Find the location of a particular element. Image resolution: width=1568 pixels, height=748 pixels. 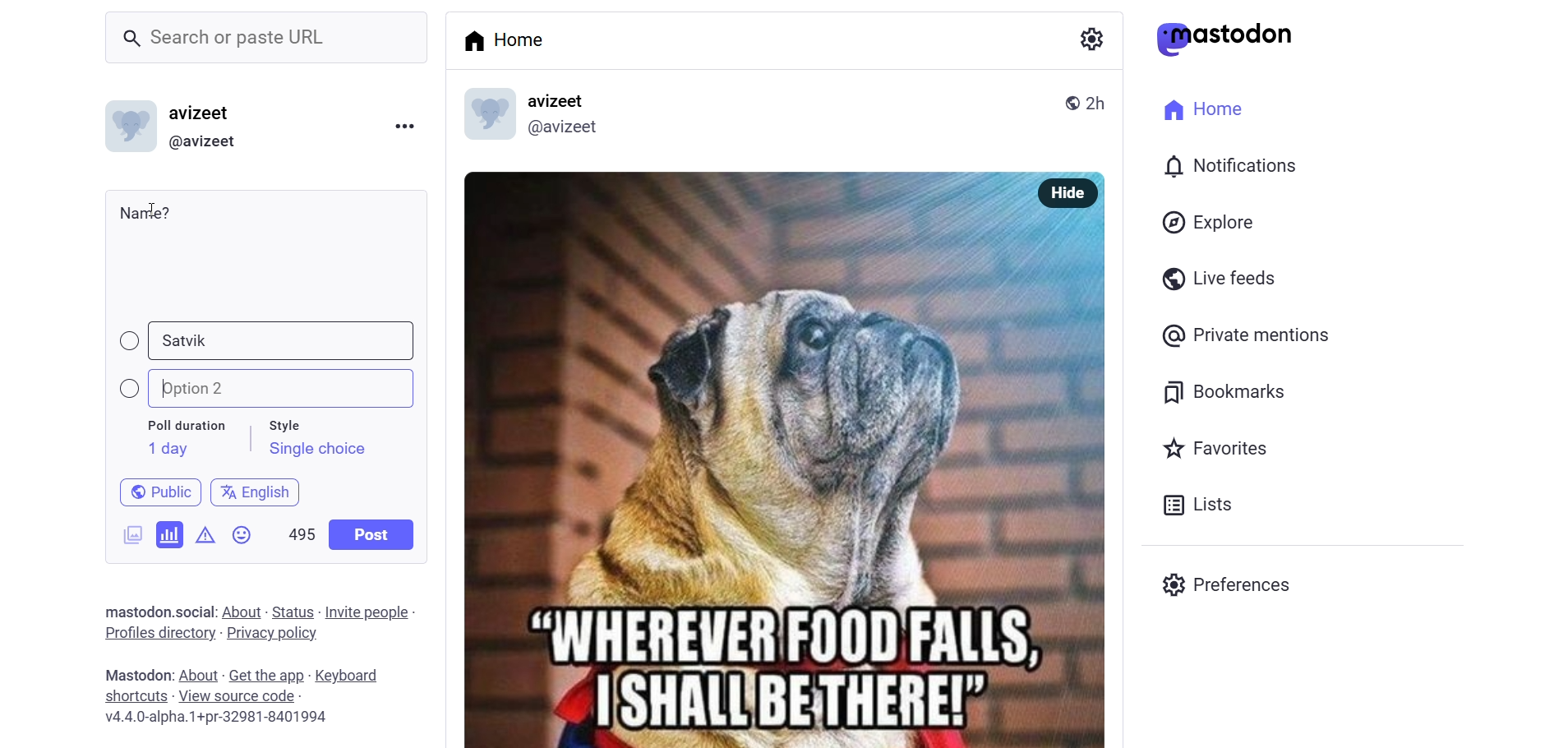

about is located at coordinates (240, 612).